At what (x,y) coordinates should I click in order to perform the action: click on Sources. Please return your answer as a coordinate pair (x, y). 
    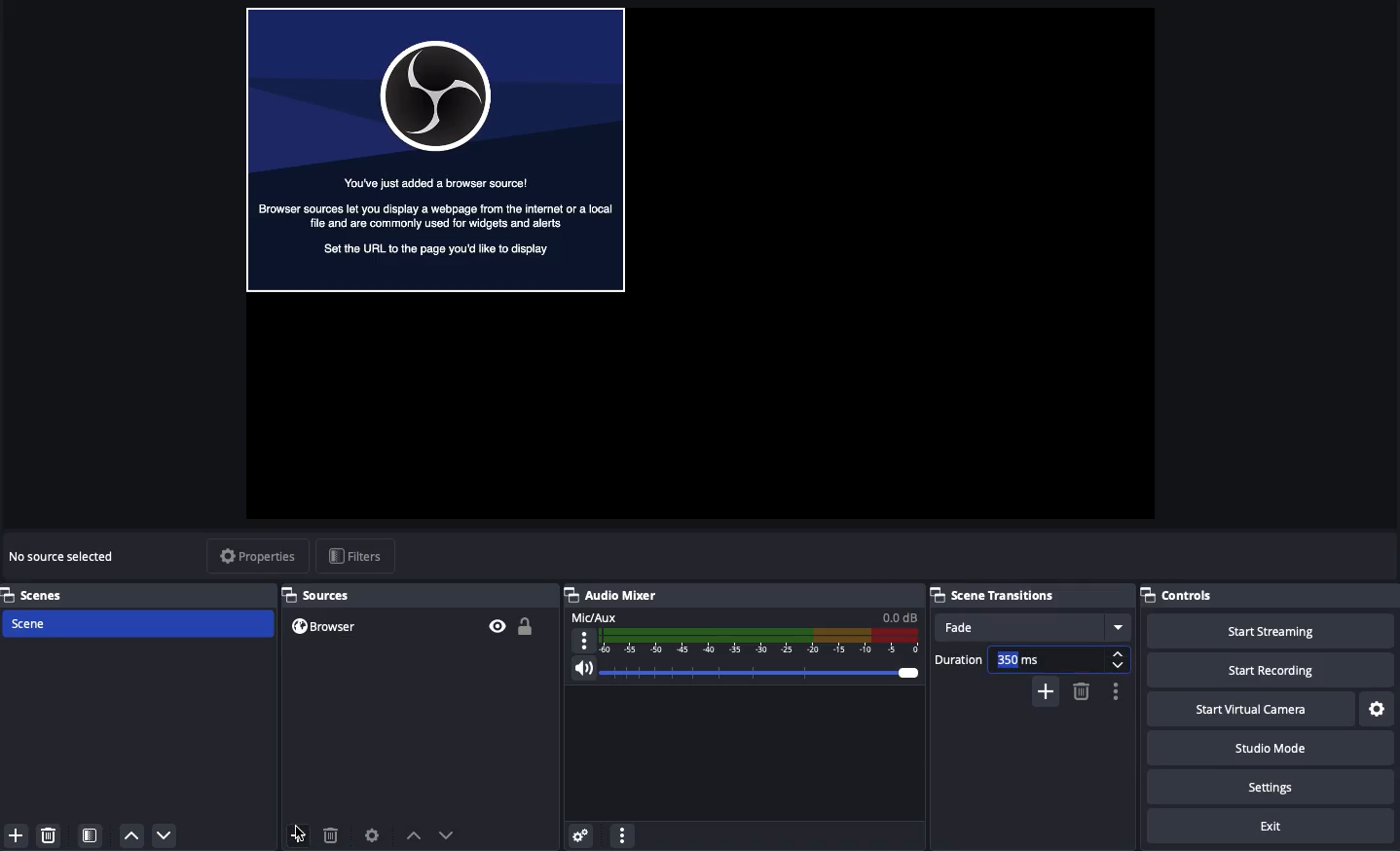
    Looking at the image, I should click on (319, 597).